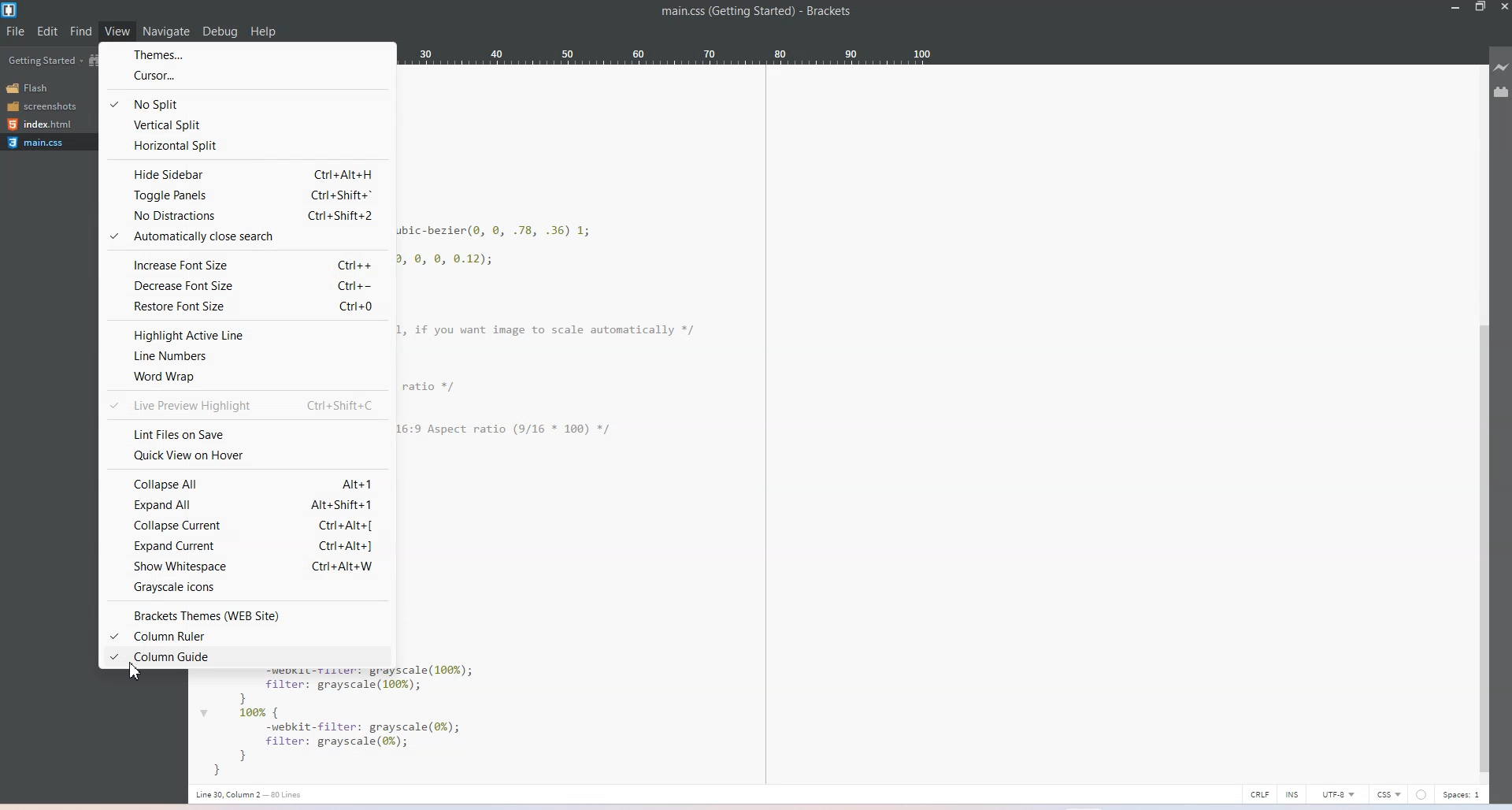  Describe the element at coordinates (1291, 793) in the screenshot. I see `Toggle Insert/Overwrite` at that location.